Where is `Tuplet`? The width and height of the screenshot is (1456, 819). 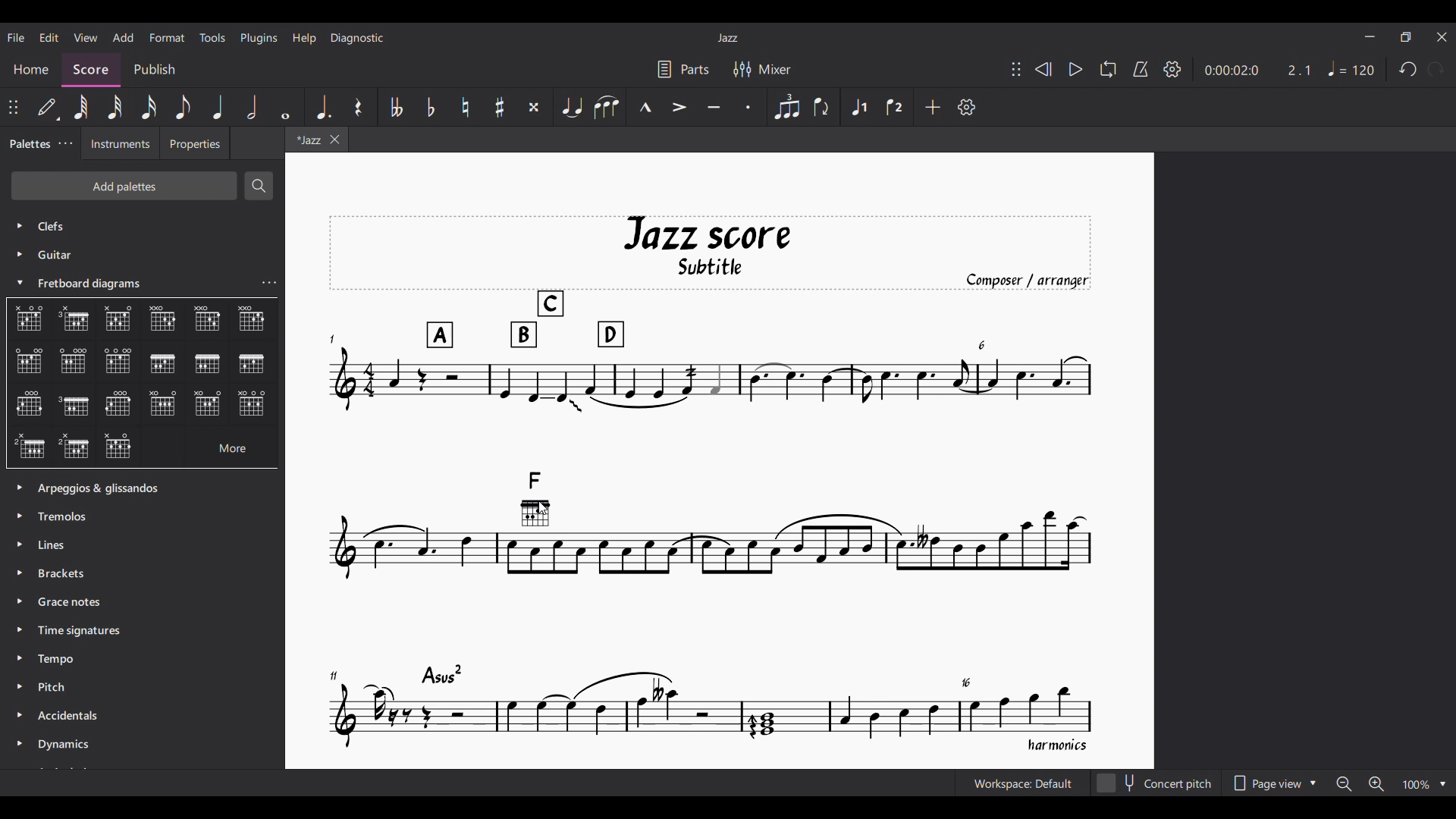 Tuplet is located at coordinates (786, 108).